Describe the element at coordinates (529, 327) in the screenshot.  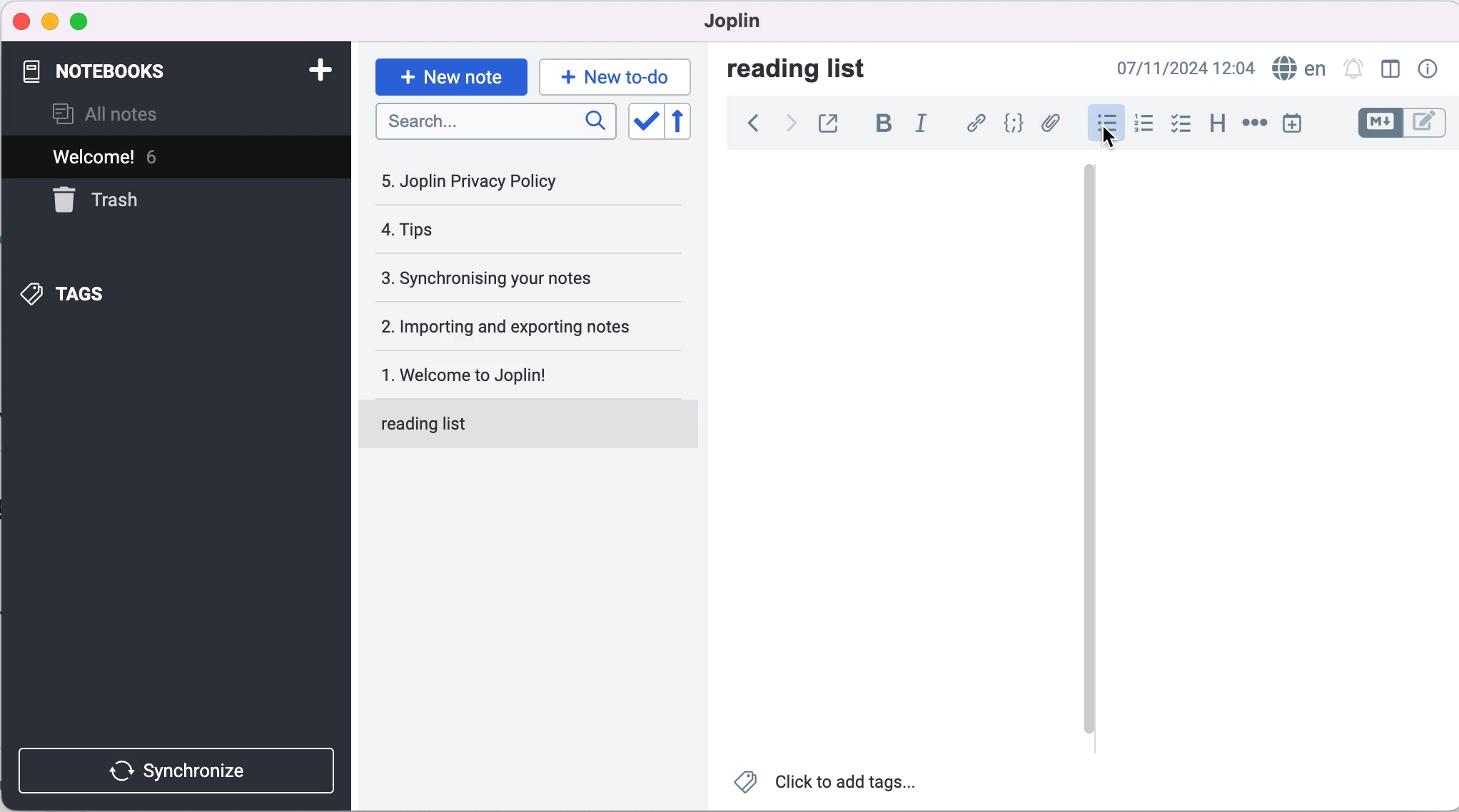
I see `importing and exporting notes` at that location.